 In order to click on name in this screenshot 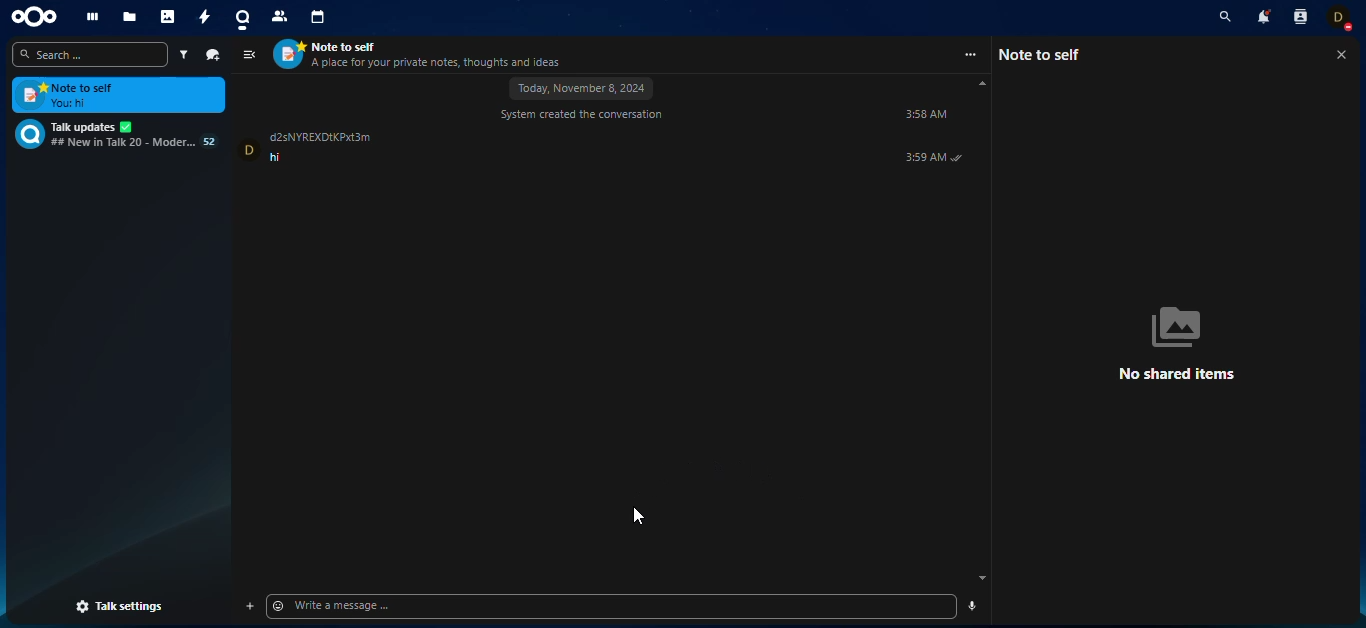, I will do `click(329, 136)`.